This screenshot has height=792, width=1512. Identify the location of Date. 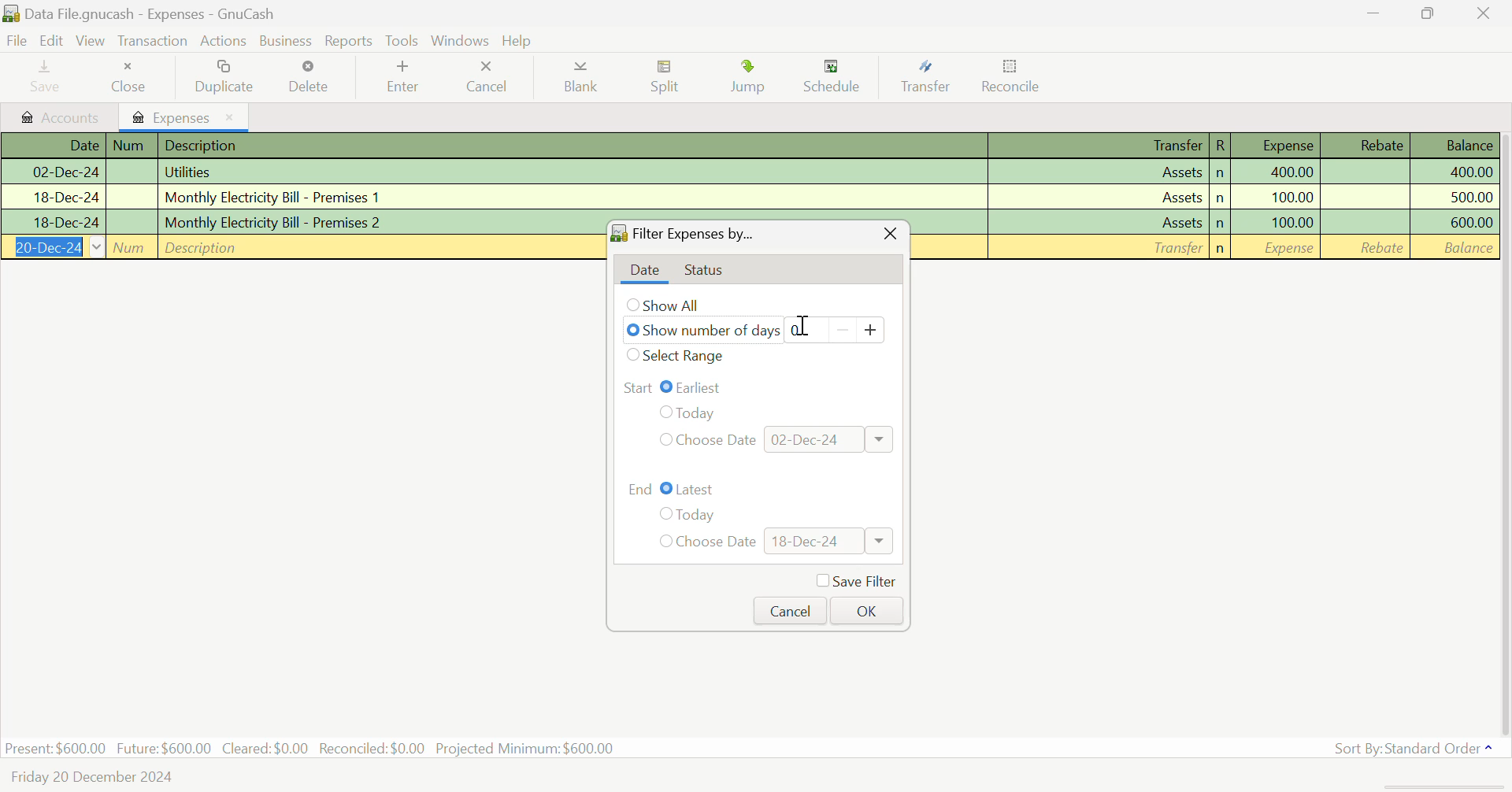
(53, 146).